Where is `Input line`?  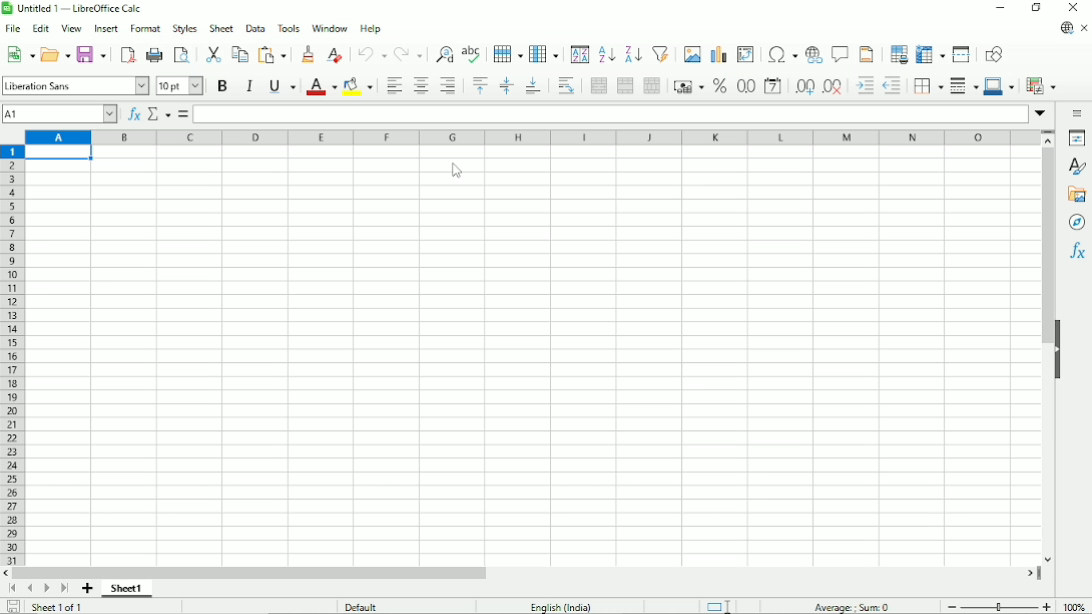
Input line is located at coordinates (610, 114).